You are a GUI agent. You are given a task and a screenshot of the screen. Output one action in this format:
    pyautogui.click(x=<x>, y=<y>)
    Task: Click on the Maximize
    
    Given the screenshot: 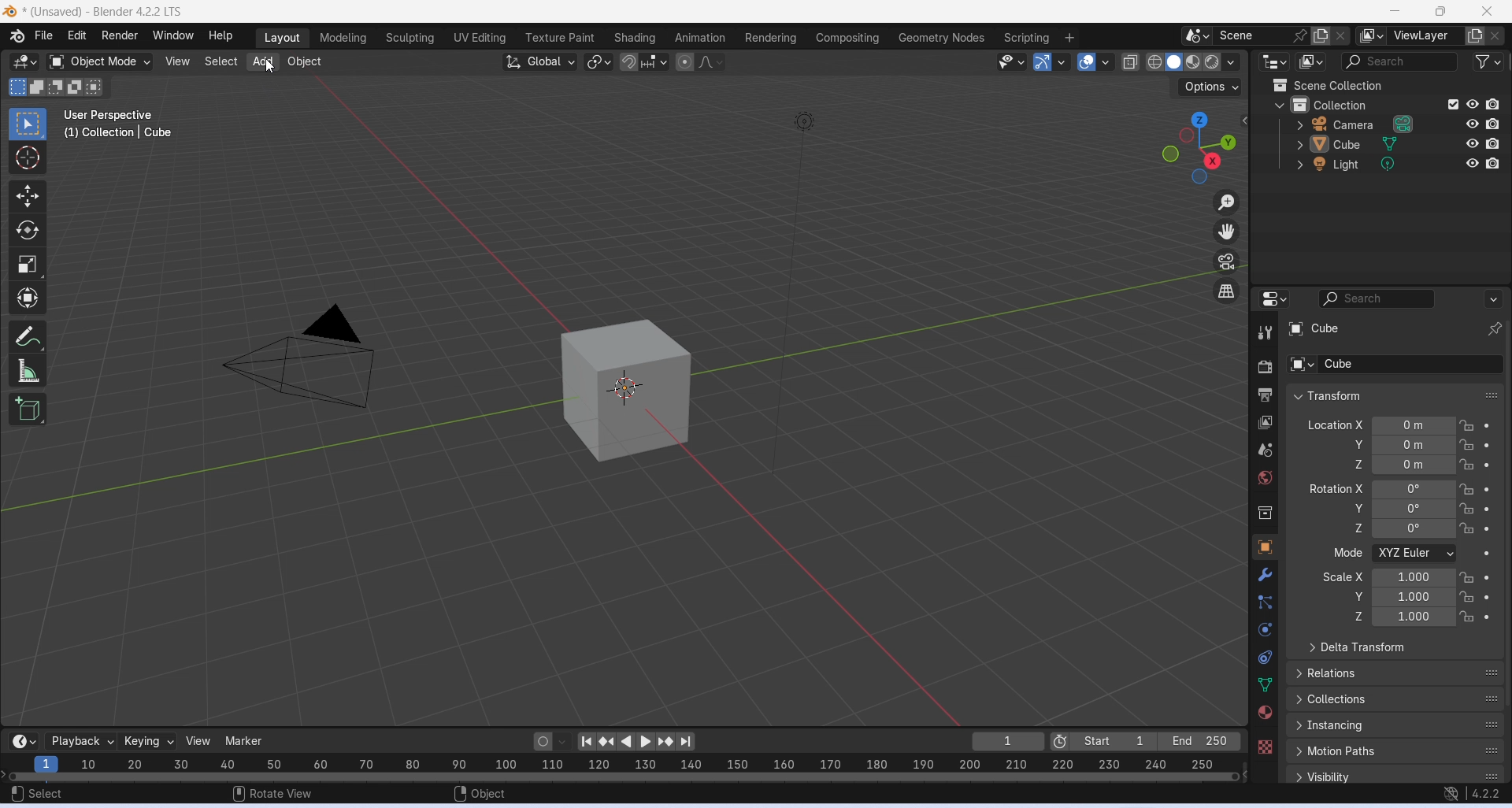 What is the action you would take?
    pyautogui.click(x=1439, y=11)
    